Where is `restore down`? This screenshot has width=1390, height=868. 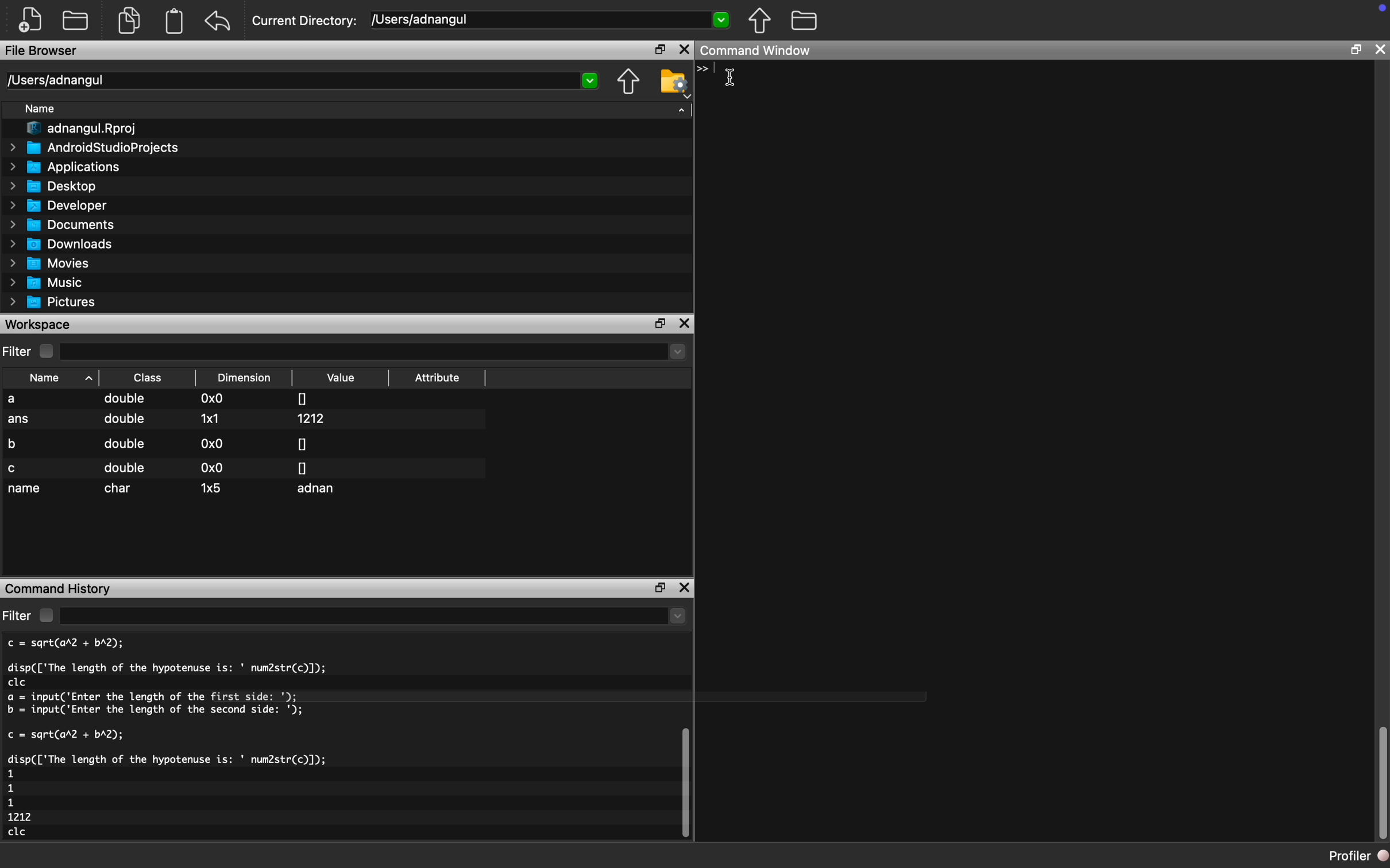
restore down is located at coordinates (657, 587).